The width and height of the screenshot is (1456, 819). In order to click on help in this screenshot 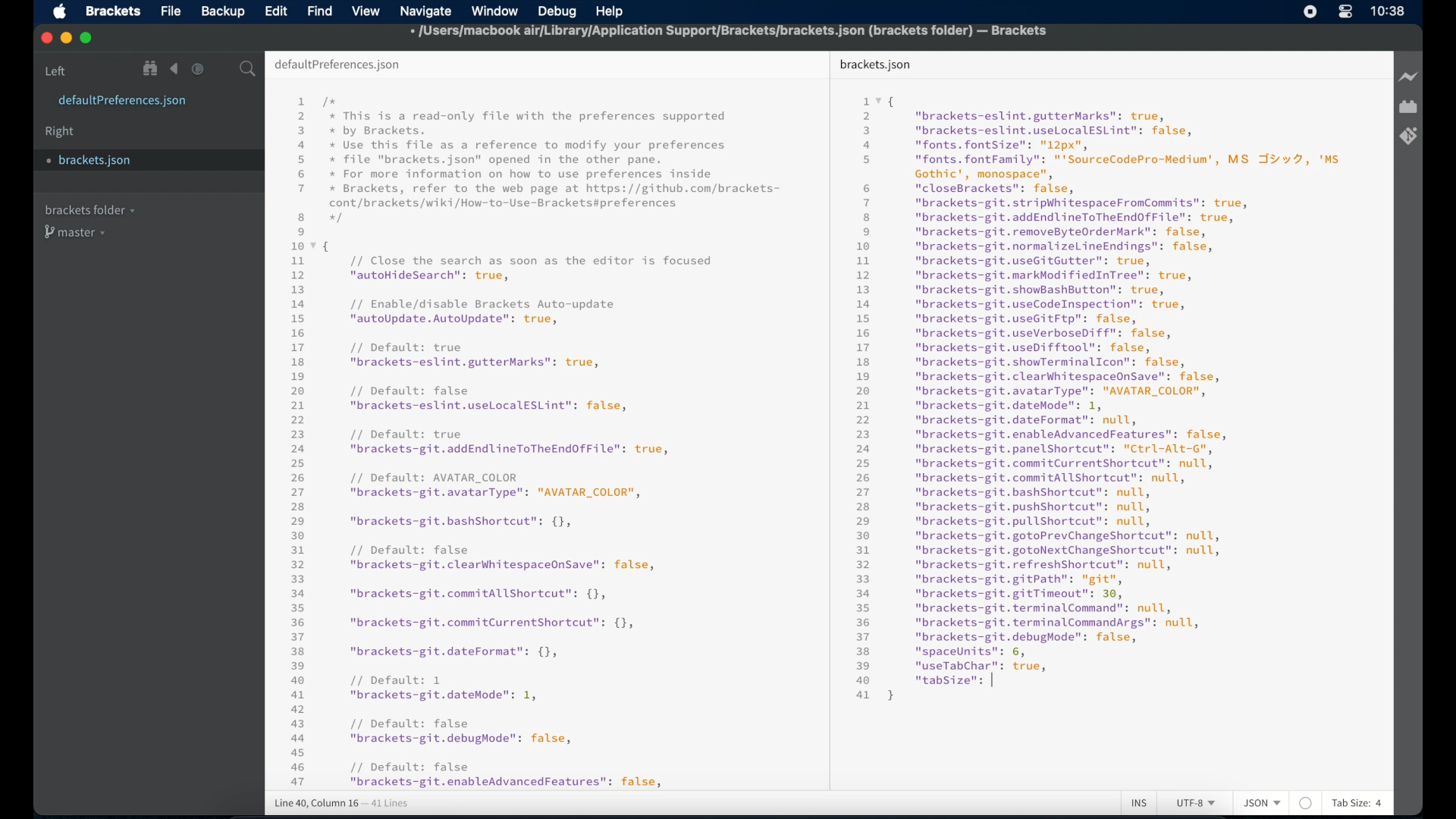, I will do `click(610, 13)`.